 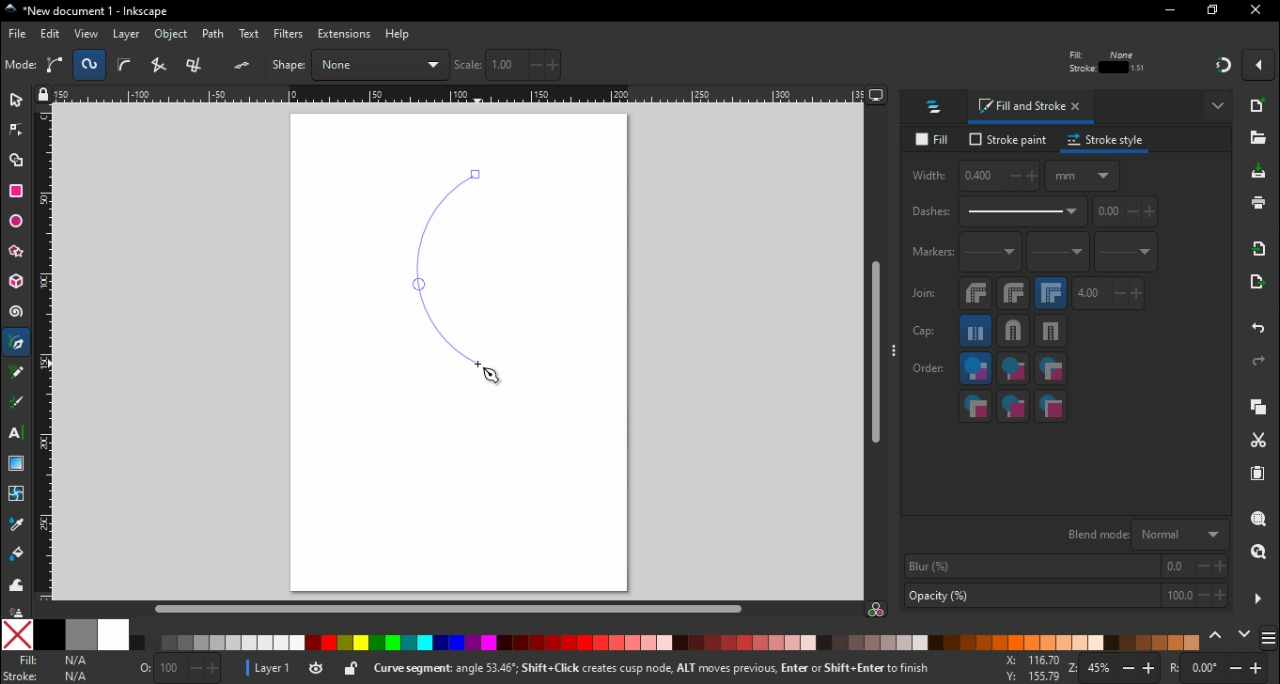 What do you see at coordinates (1108, 143) in the screenshot?
I see `stroke style` at bounding box center [1108, 143].